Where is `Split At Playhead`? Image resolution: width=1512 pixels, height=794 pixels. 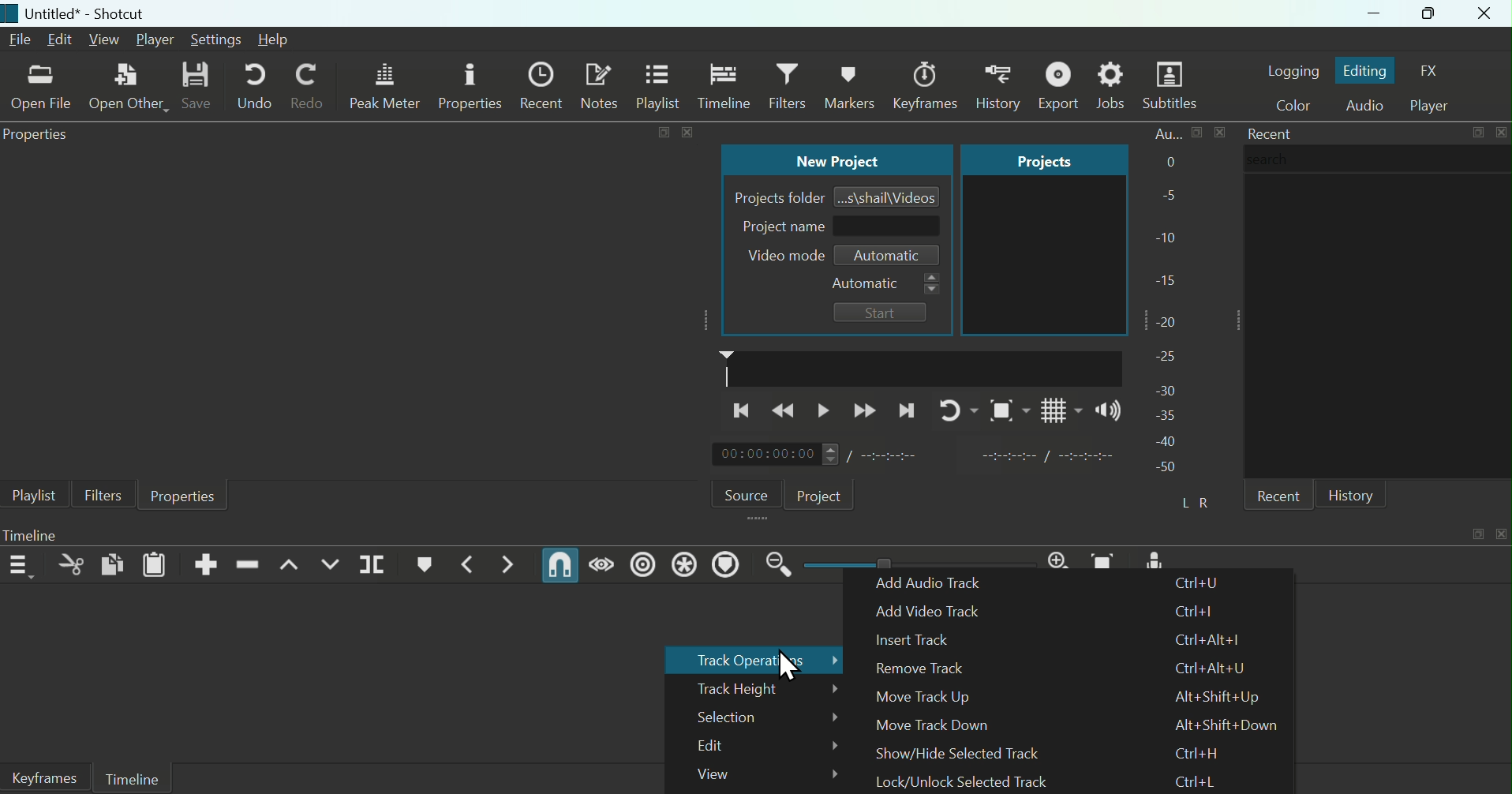
Split At Playhead is located at coordinates (374, 565).